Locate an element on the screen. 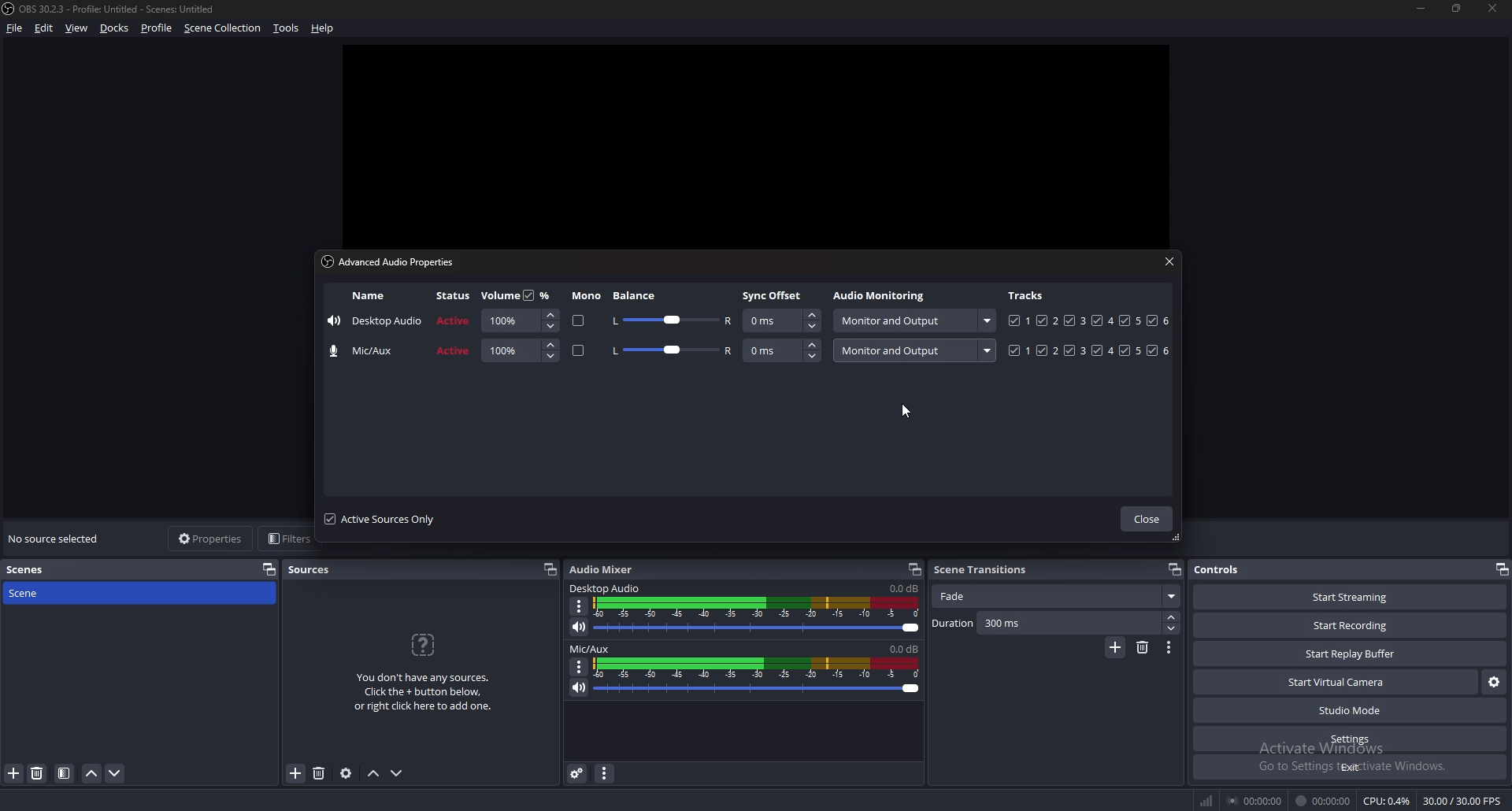  start replay buffer is located at coordinates (1351, 654).